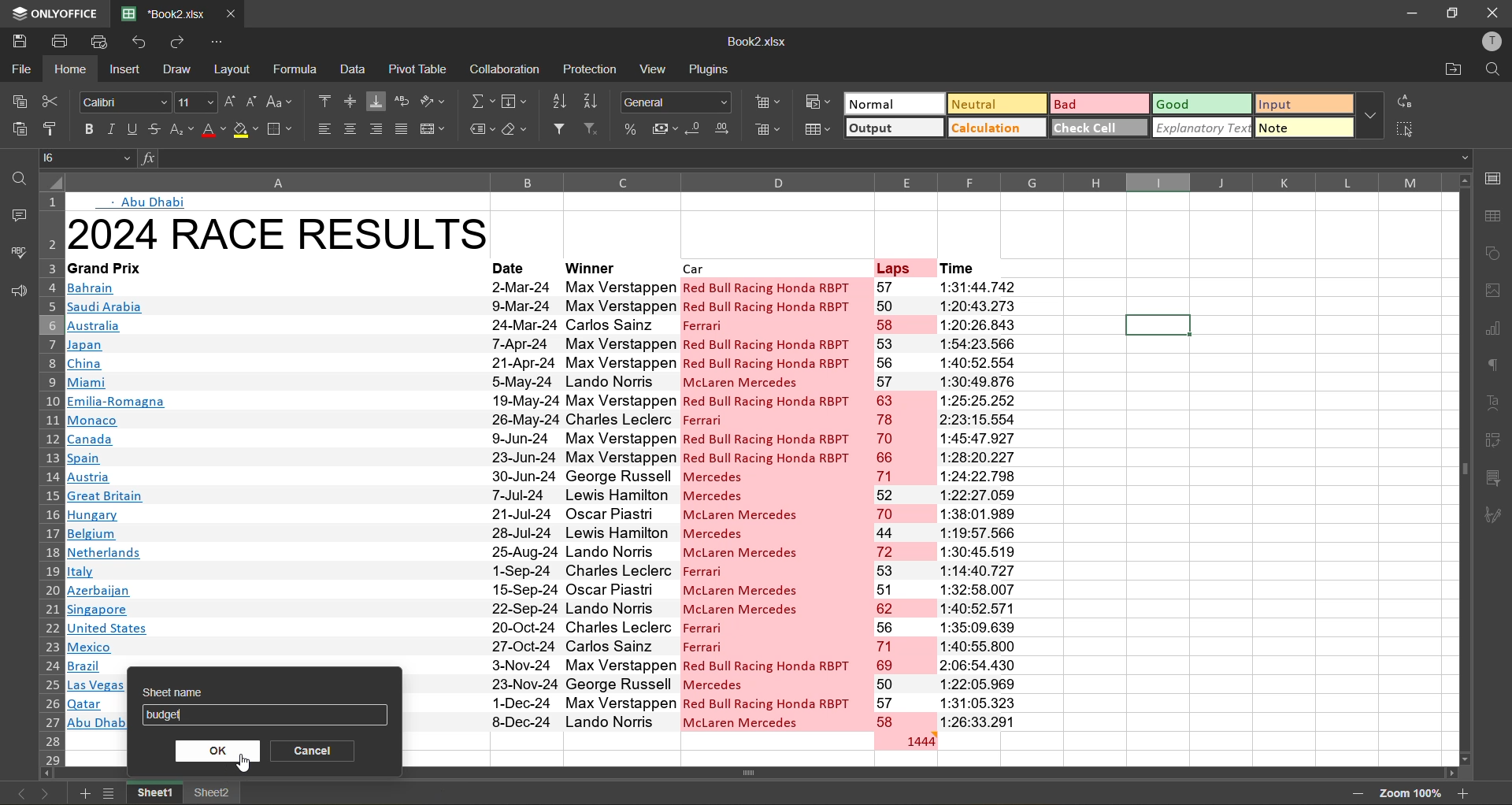 The height and width of the screenshot is (805, 1512). Describe the element at coordinates (902, 266) in the screenshot. I see `laps` at that location.